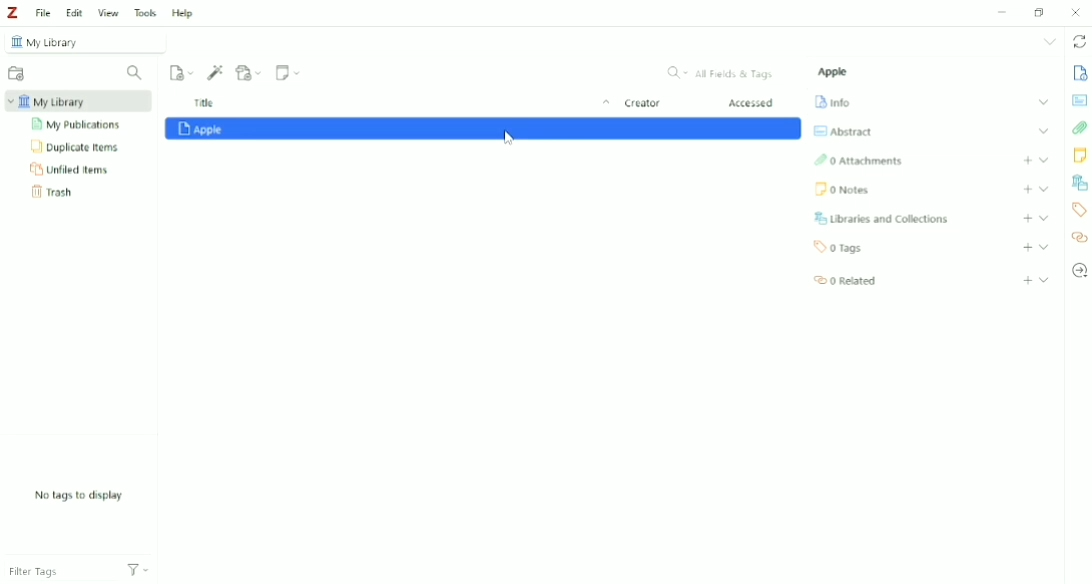  Describe the element at coordinates (138, 573) in the screenshot. I see `Actions` at that location.